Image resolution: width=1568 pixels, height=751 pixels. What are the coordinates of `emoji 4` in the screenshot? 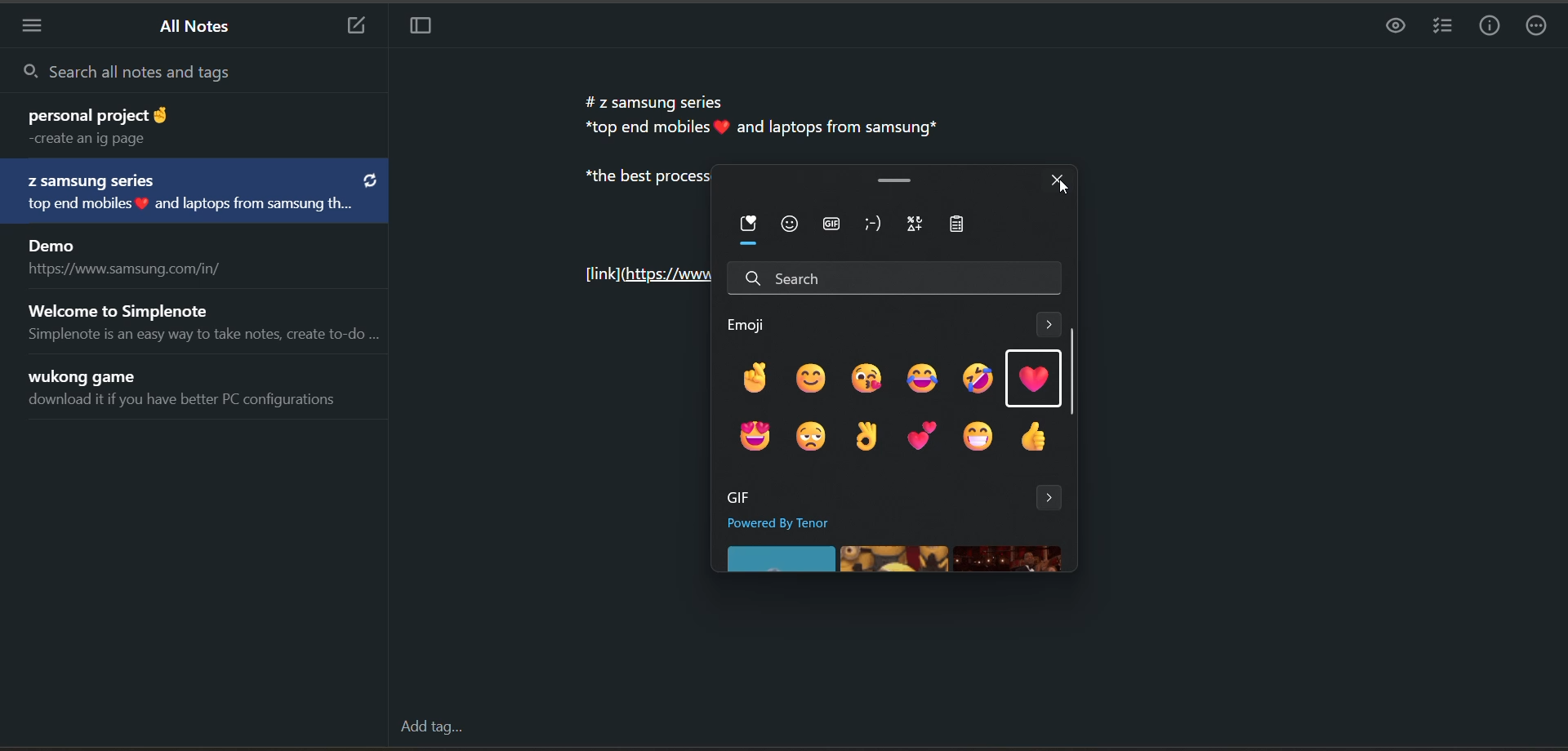 It's located at (920, 378).